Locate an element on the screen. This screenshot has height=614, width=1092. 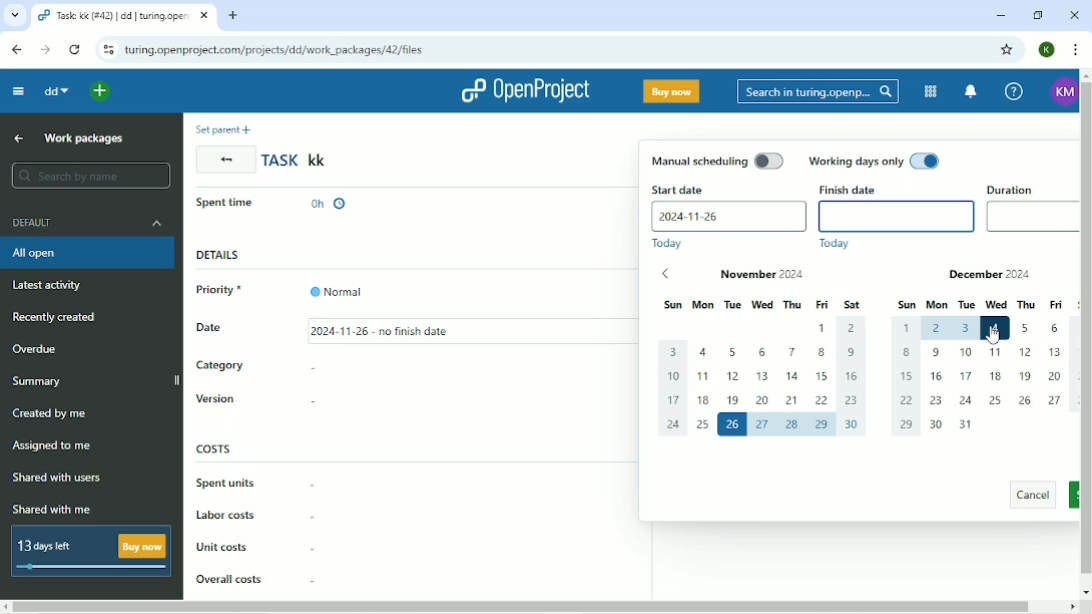
November 2024 is located at coordinates (796, 275).